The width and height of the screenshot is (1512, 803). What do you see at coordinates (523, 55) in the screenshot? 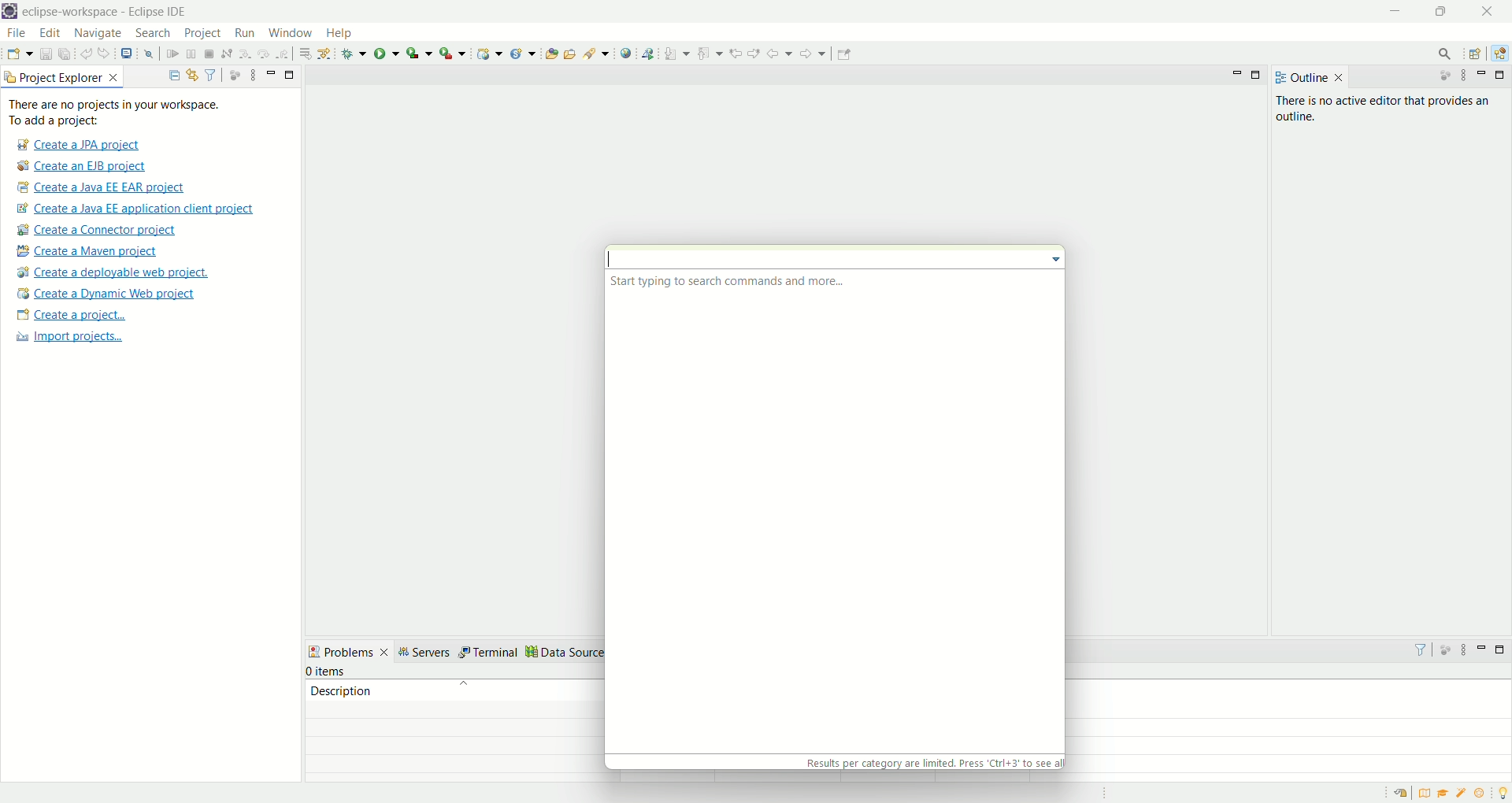
I see `create a new Java servlet` at bounding box center [523, 55].